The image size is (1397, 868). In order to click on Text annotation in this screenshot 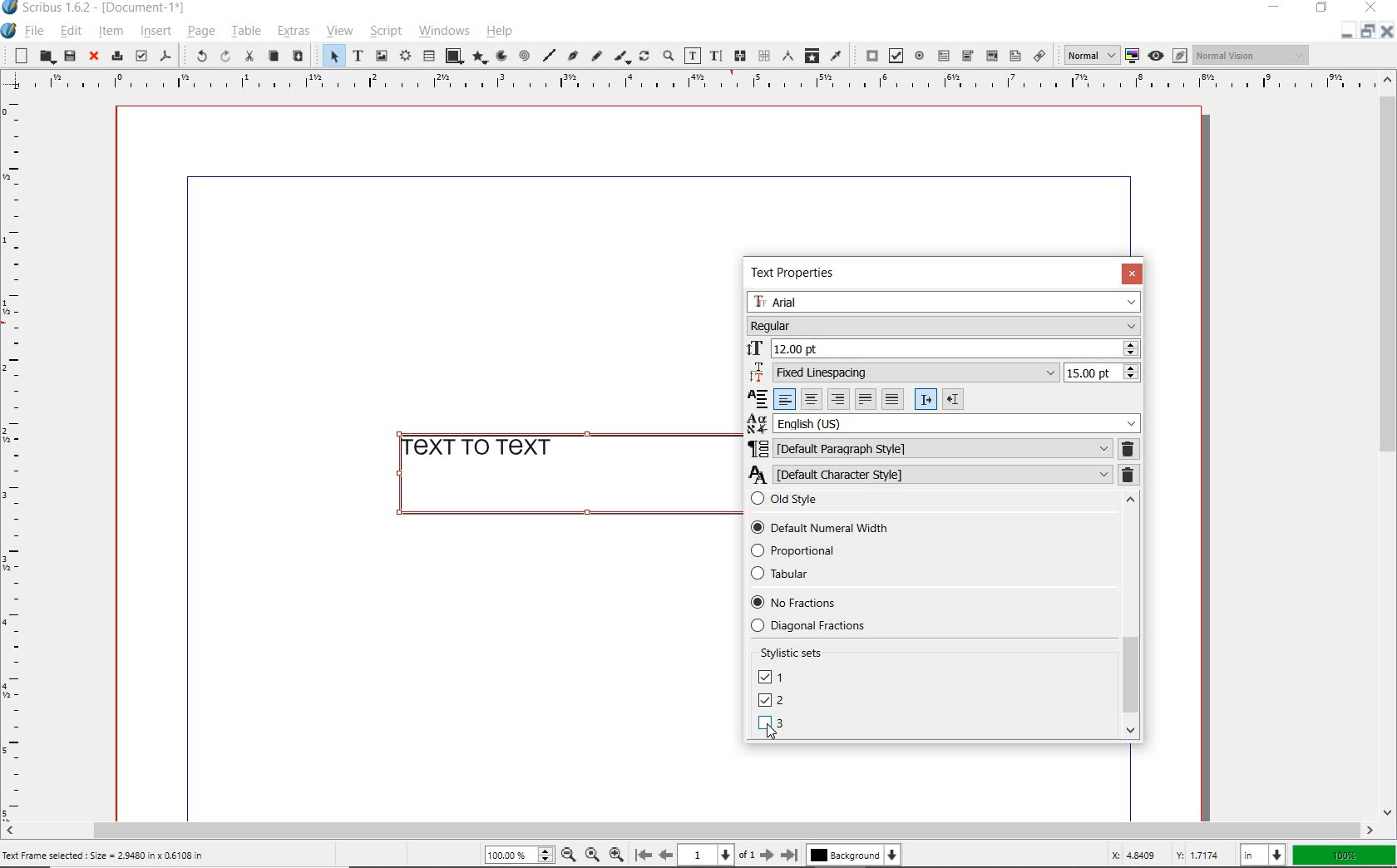, I will do `click(1014, 57)`.